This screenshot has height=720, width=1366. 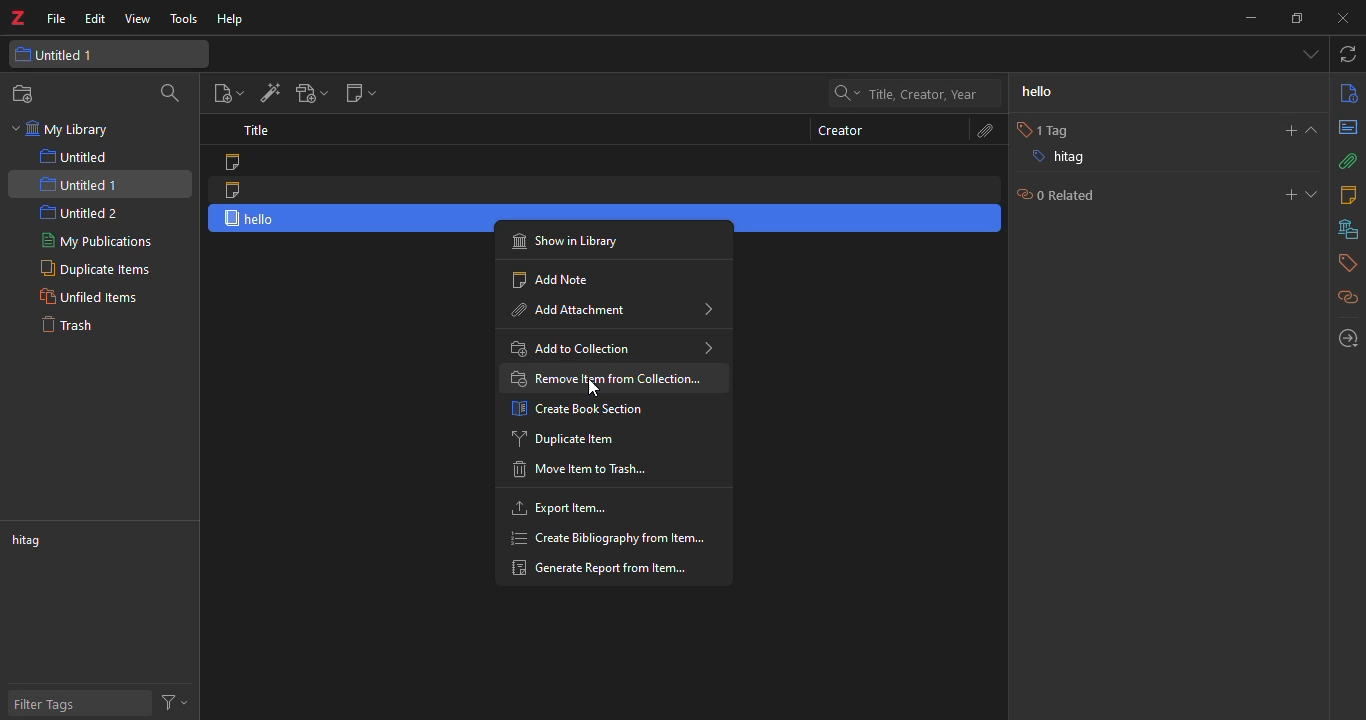 What do you see at coordinates (54, 21) in the screenshot?
I see `file` at bounding box center [54, 21].